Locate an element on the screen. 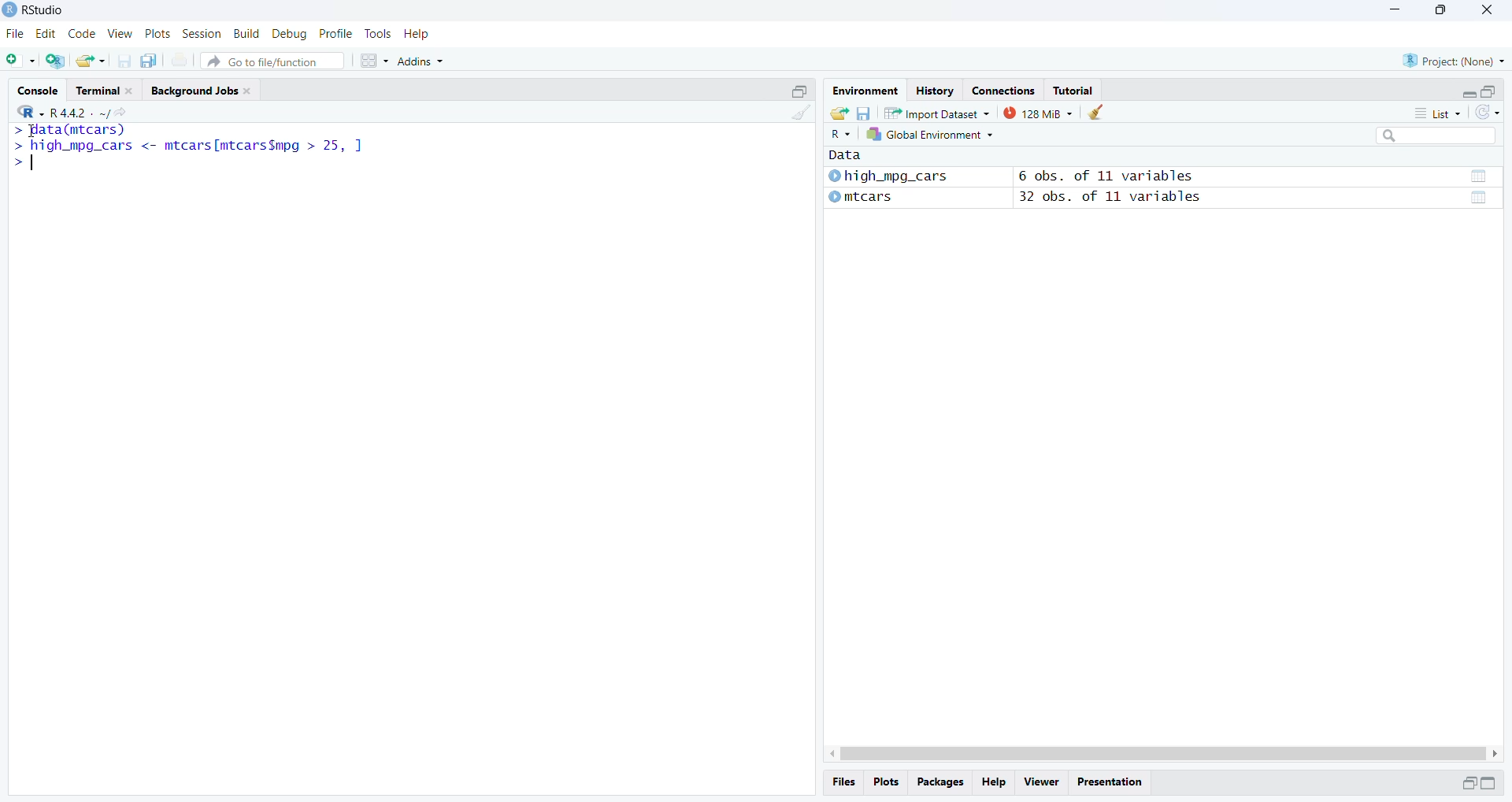  Debug is located at coordinates (291, 34).